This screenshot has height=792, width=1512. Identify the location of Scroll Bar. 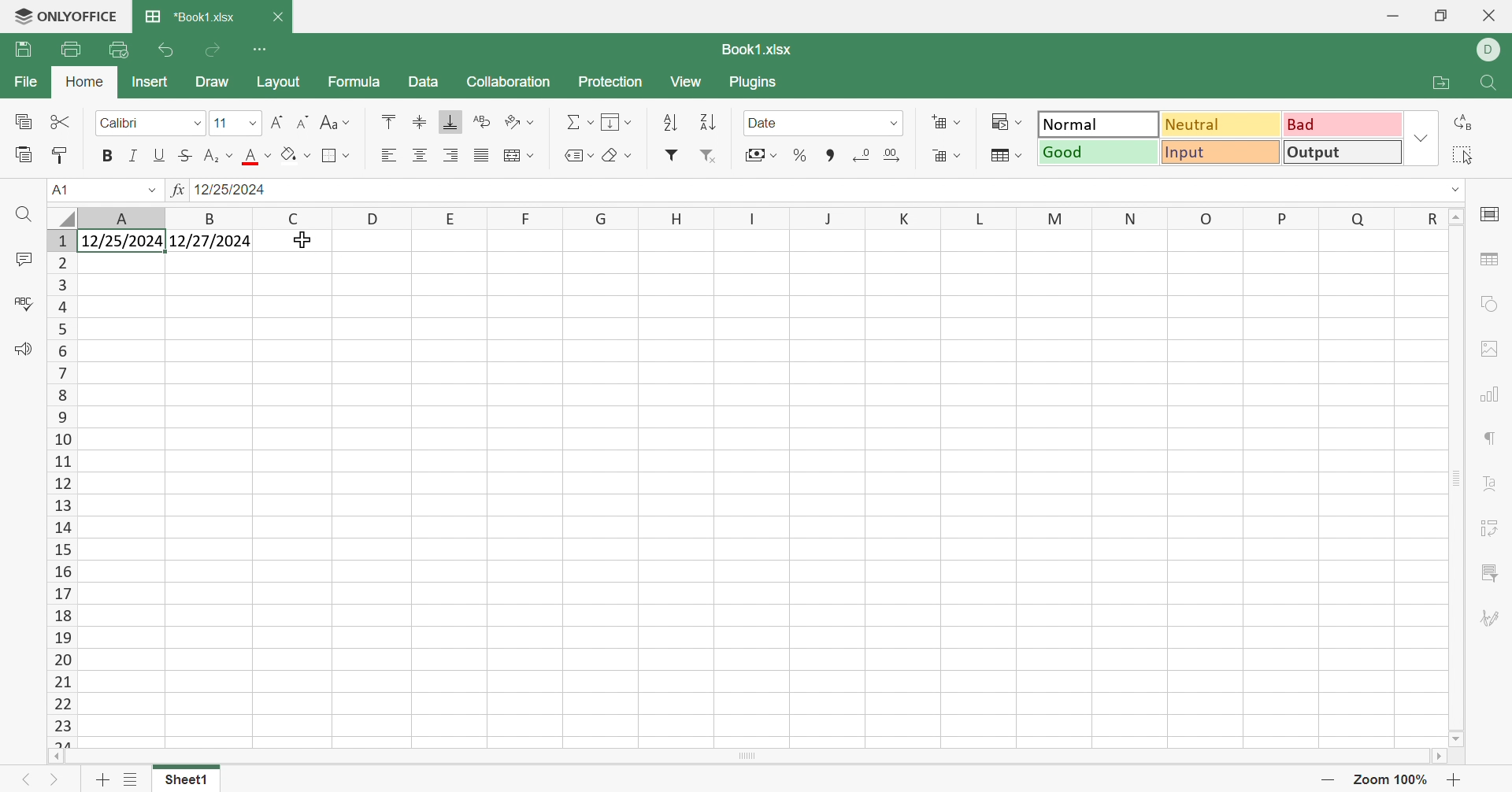
(747, 757).